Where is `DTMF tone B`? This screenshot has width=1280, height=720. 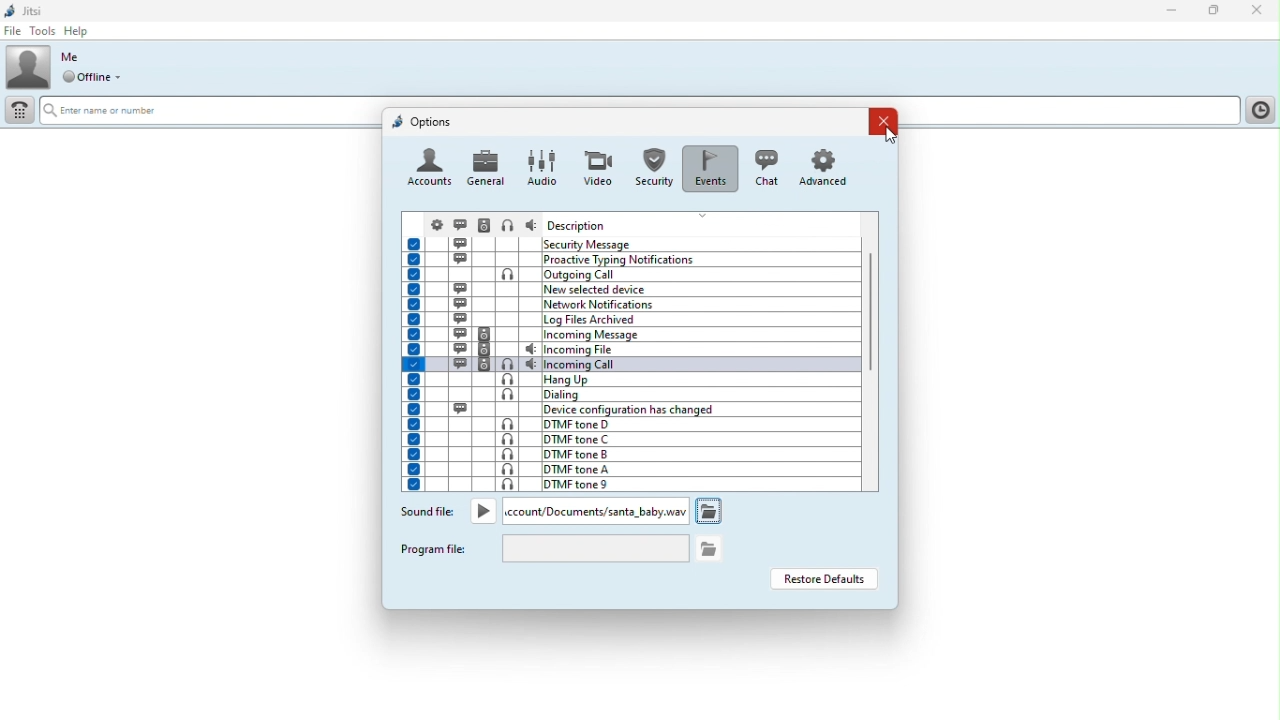
DTMF tone B is located at coordinates (626, 454).